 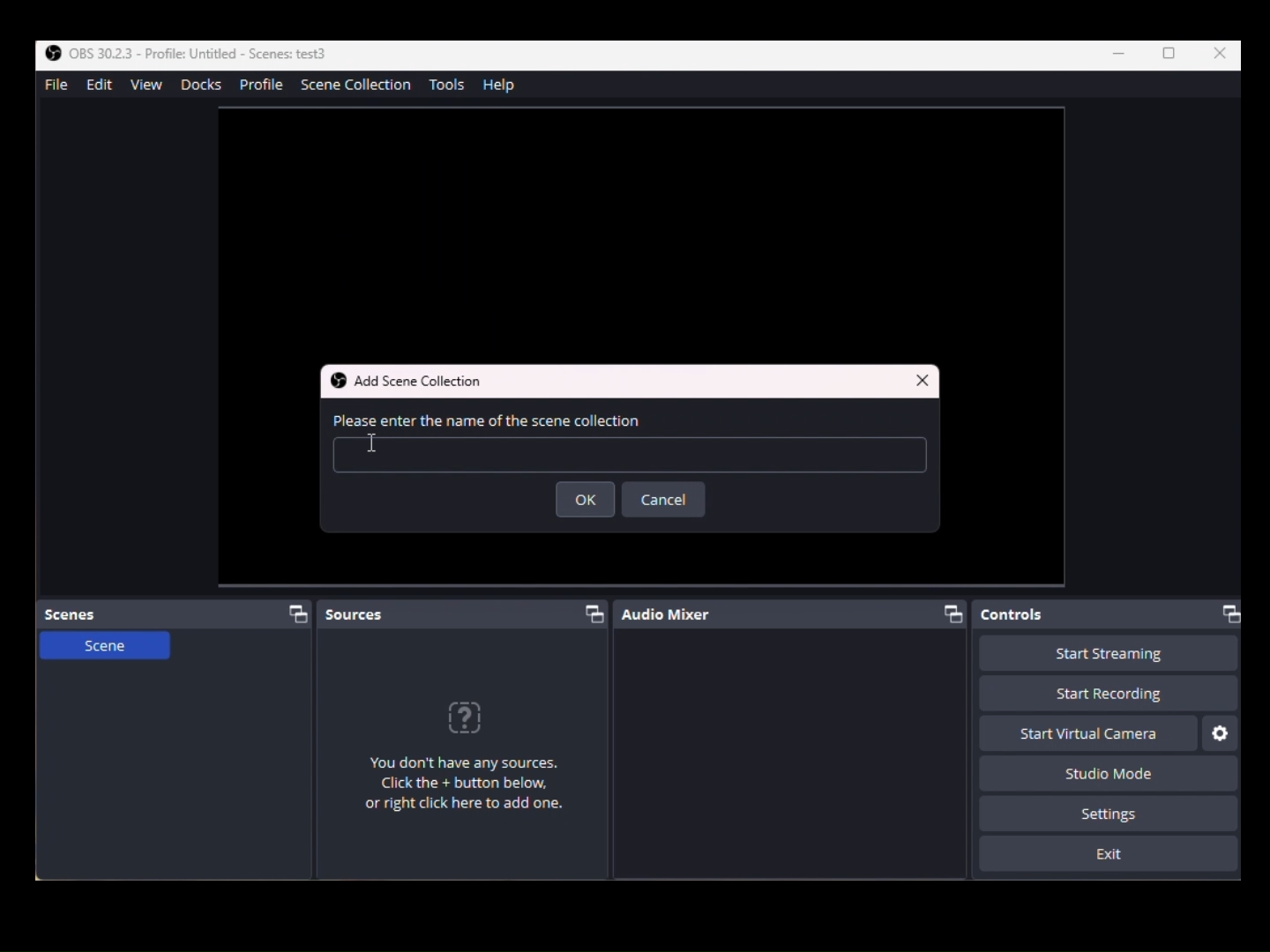 I want to click on Close, so click(x=923, y=378).